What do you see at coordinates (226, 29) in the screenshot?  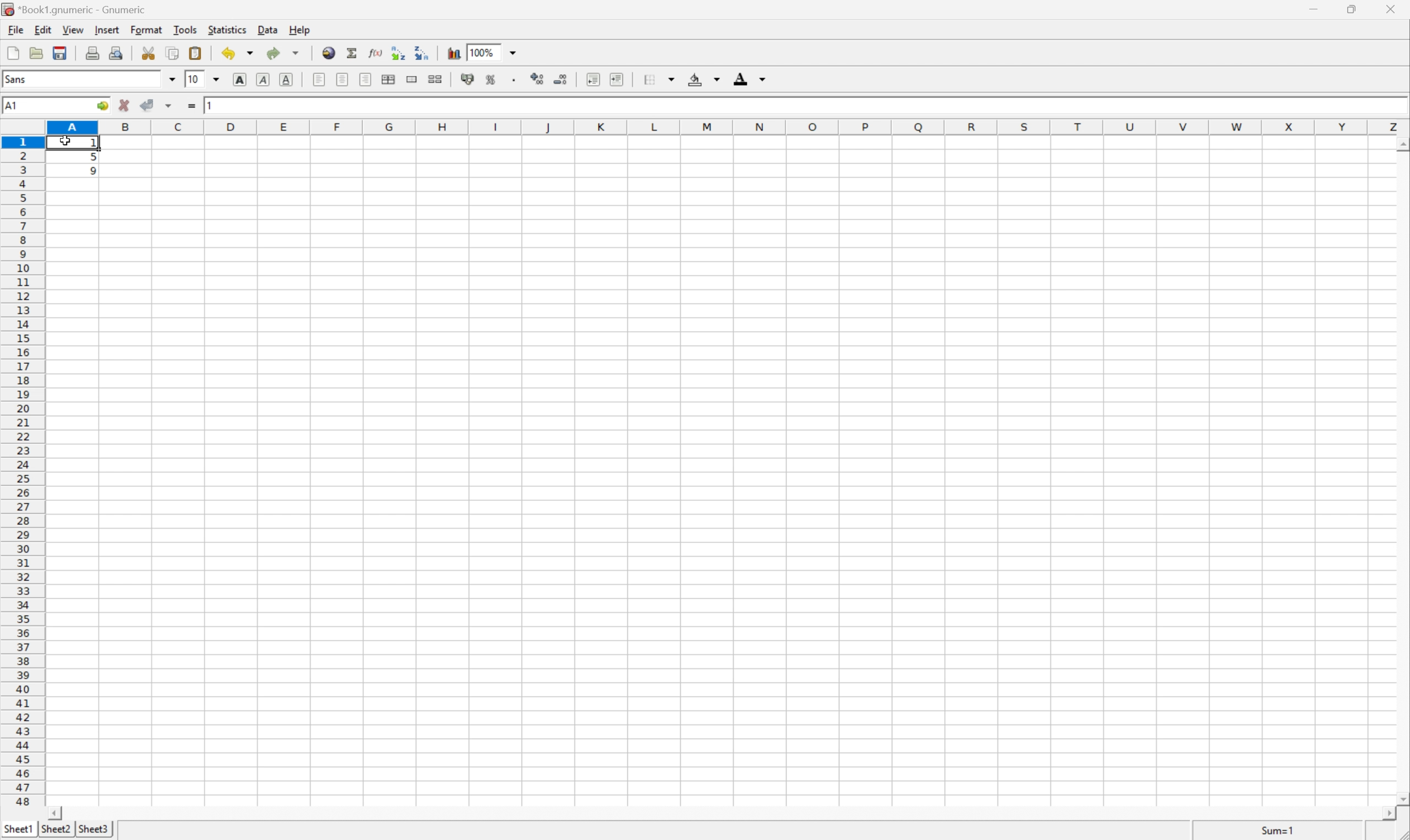 I see `statistics` at bounding box center [226, 29].